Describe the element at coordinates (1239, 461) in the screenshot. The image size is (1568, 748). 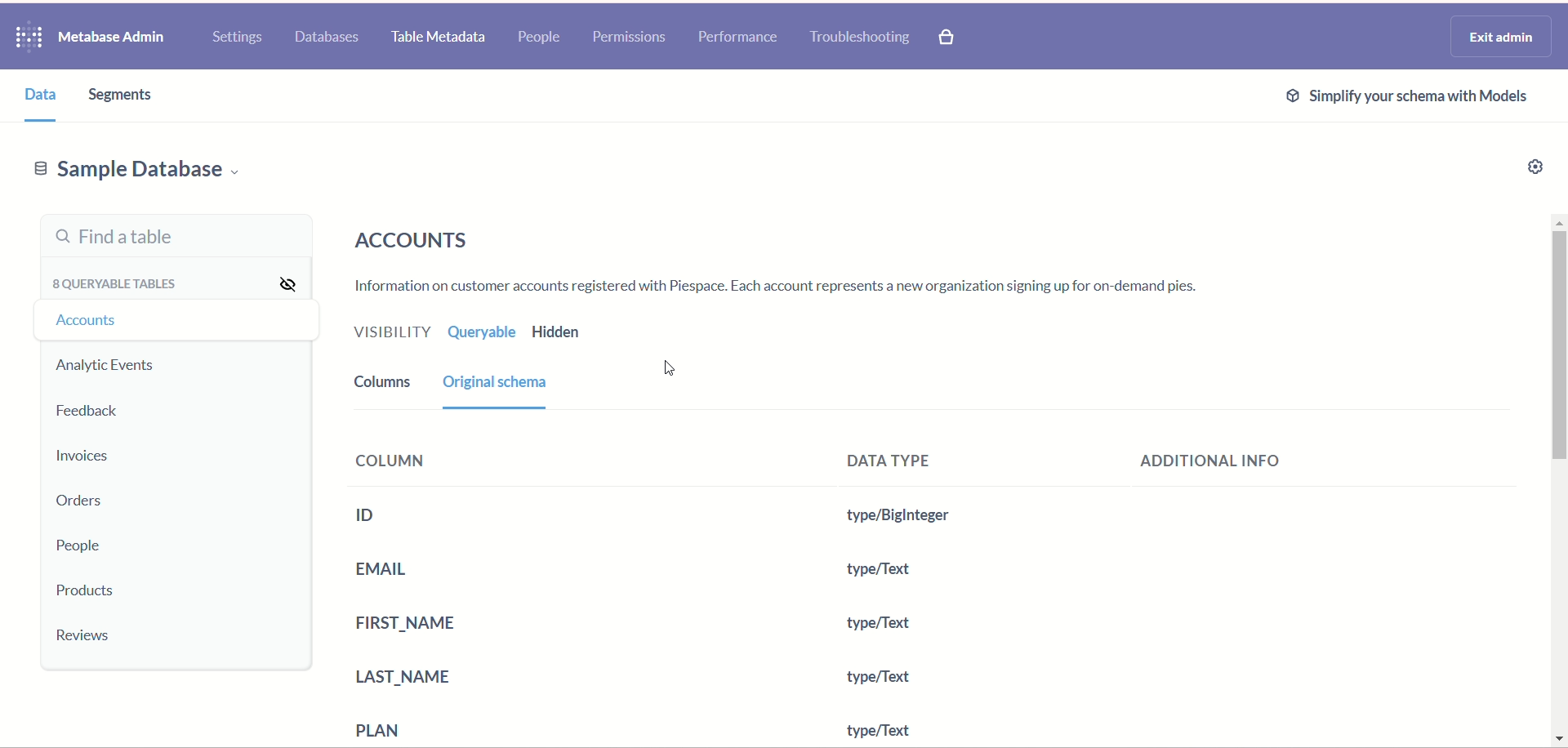
I see `additional info` at that location.